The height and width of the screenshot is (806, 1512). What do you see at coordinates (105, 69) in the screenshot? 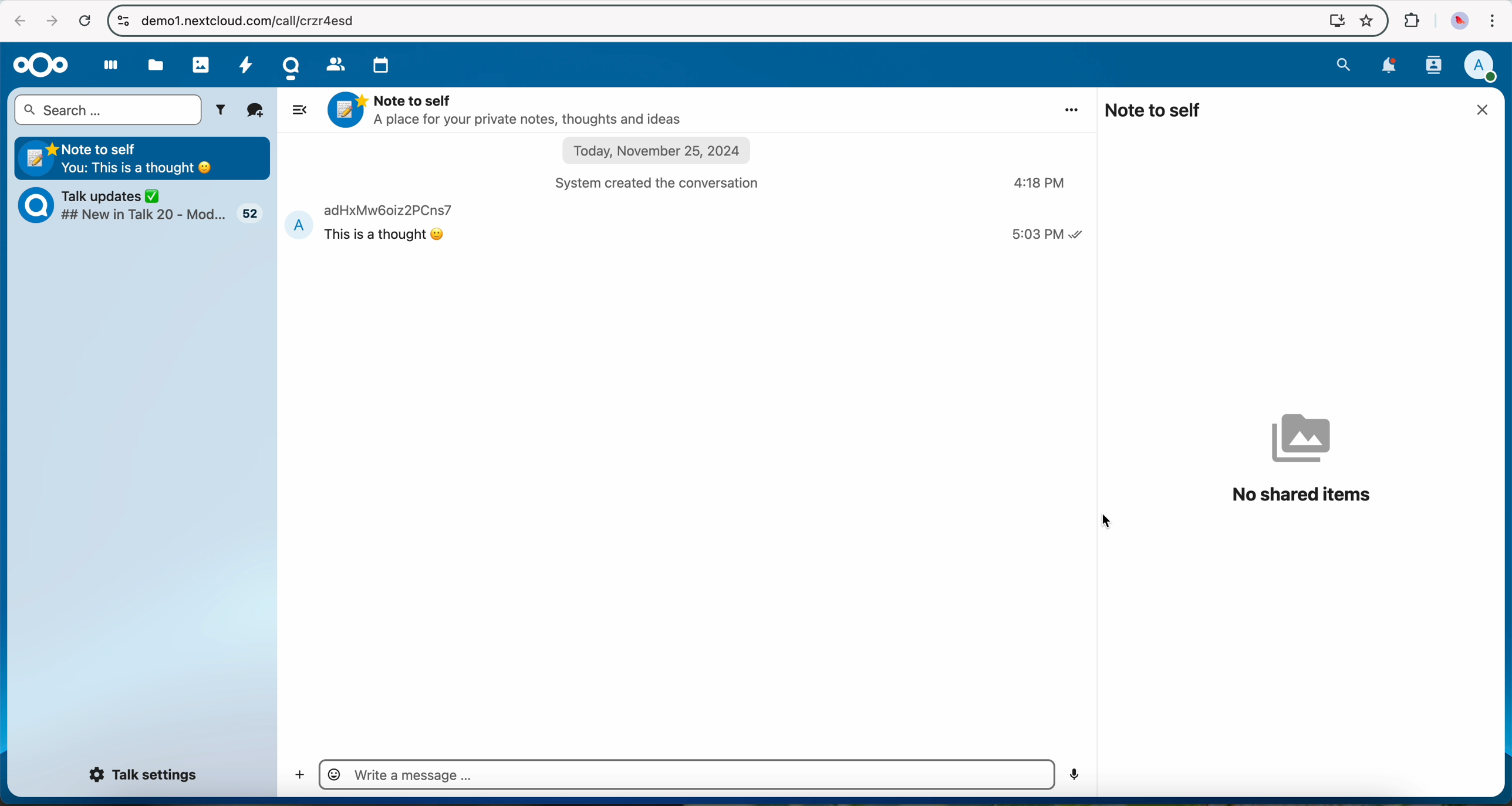
I see `dashboard` at bounding box center [105, 69].